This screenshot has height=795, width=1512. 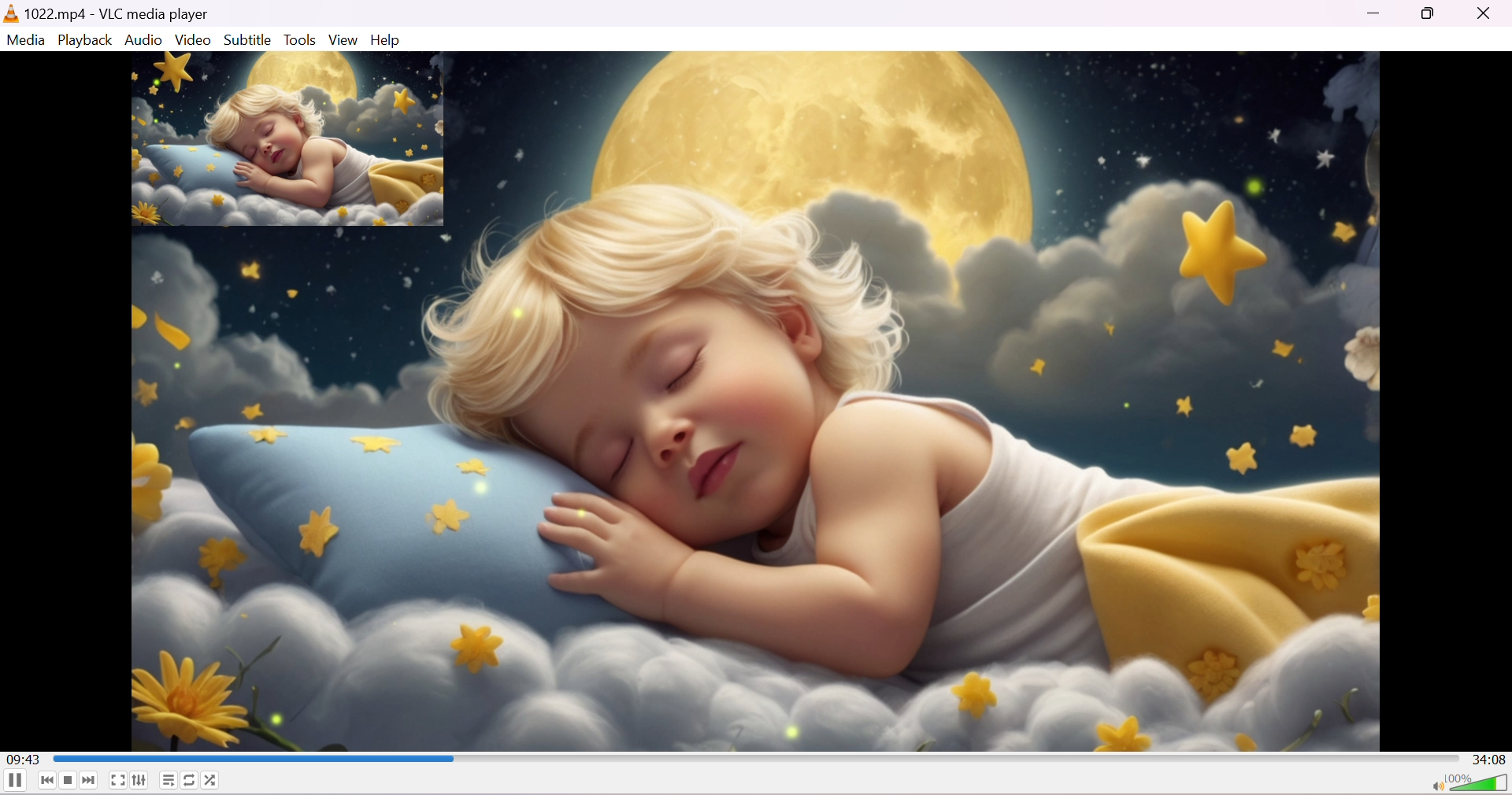 I want to click on Mute, so click(x=1434, y=784).